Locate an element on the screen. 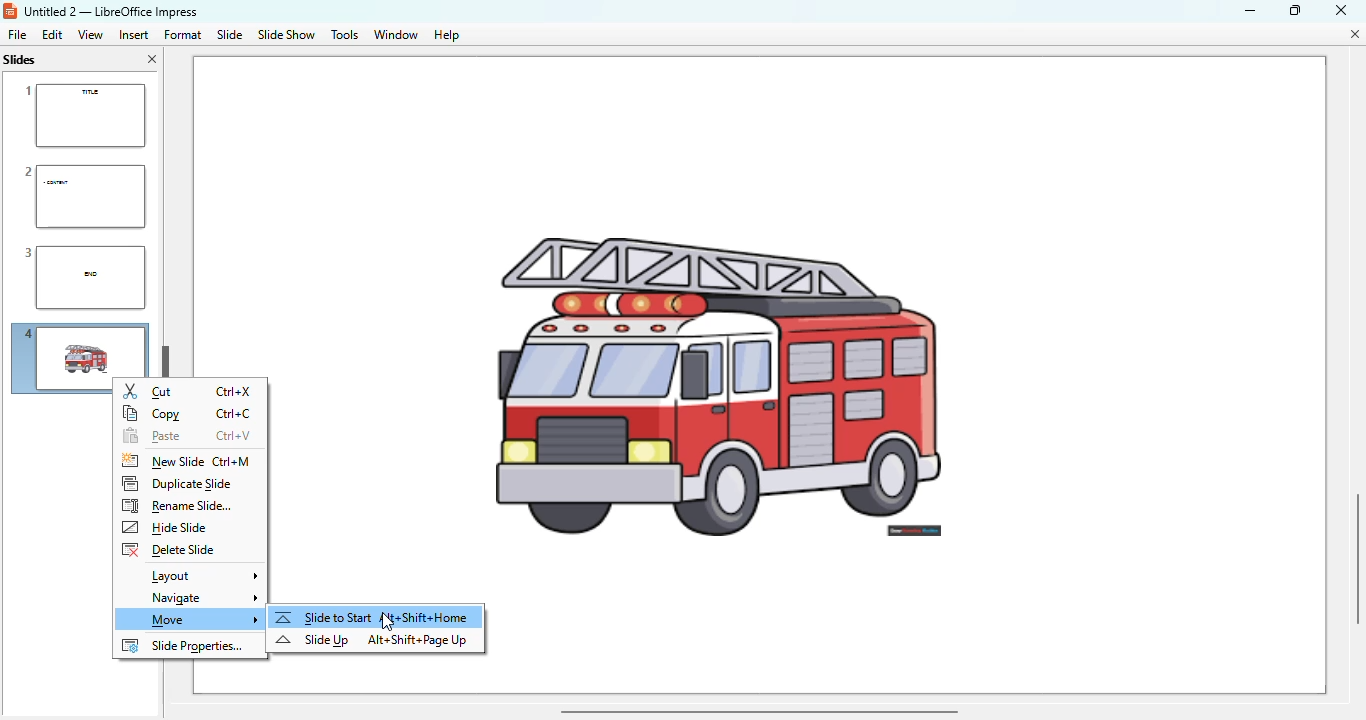 The image size is (1366, 720). close document is located at coordinates (1354, 34).